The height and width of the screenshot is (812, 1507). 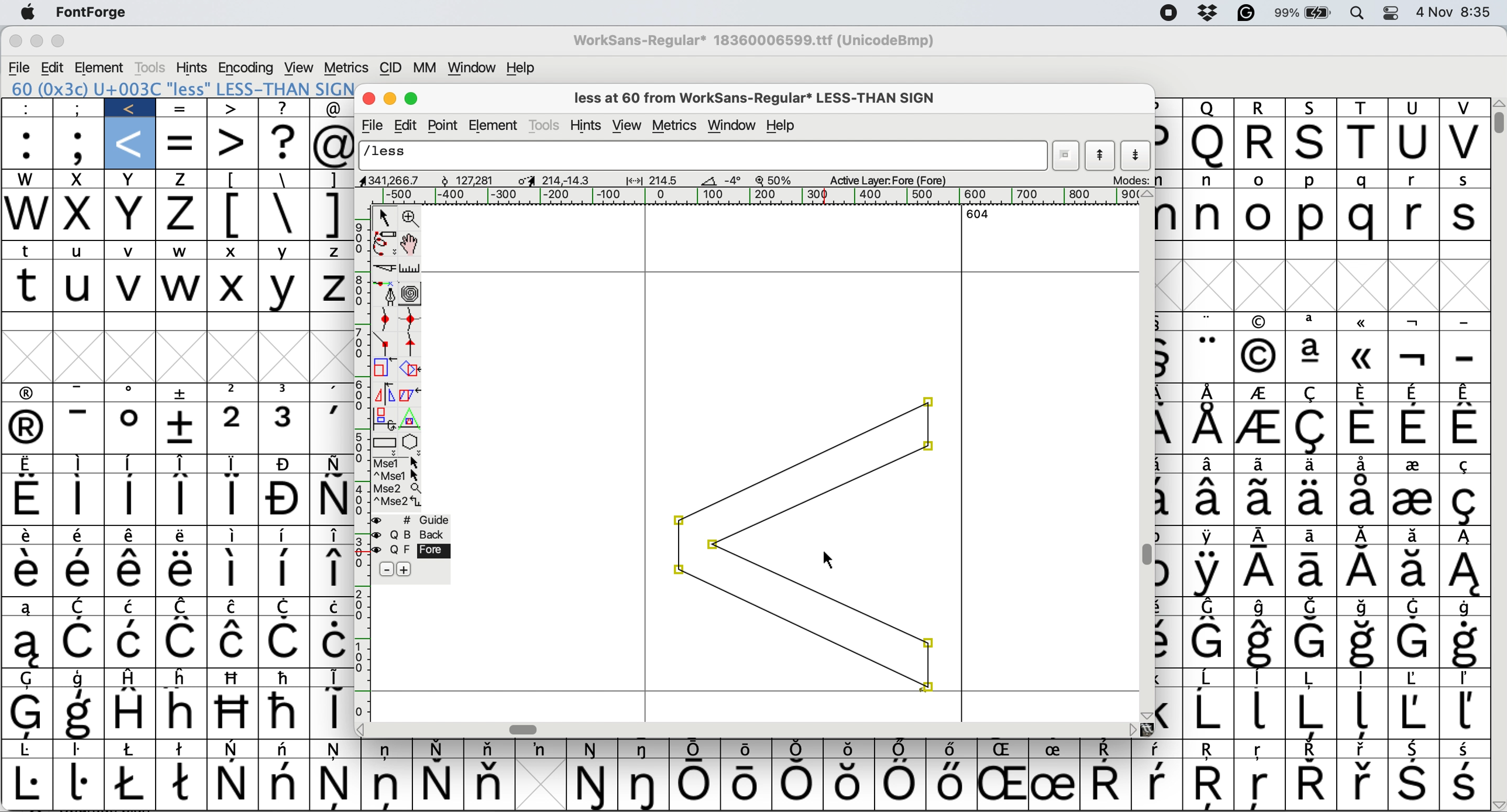 I want to click on Symbol, so click(x=1107, y=750).